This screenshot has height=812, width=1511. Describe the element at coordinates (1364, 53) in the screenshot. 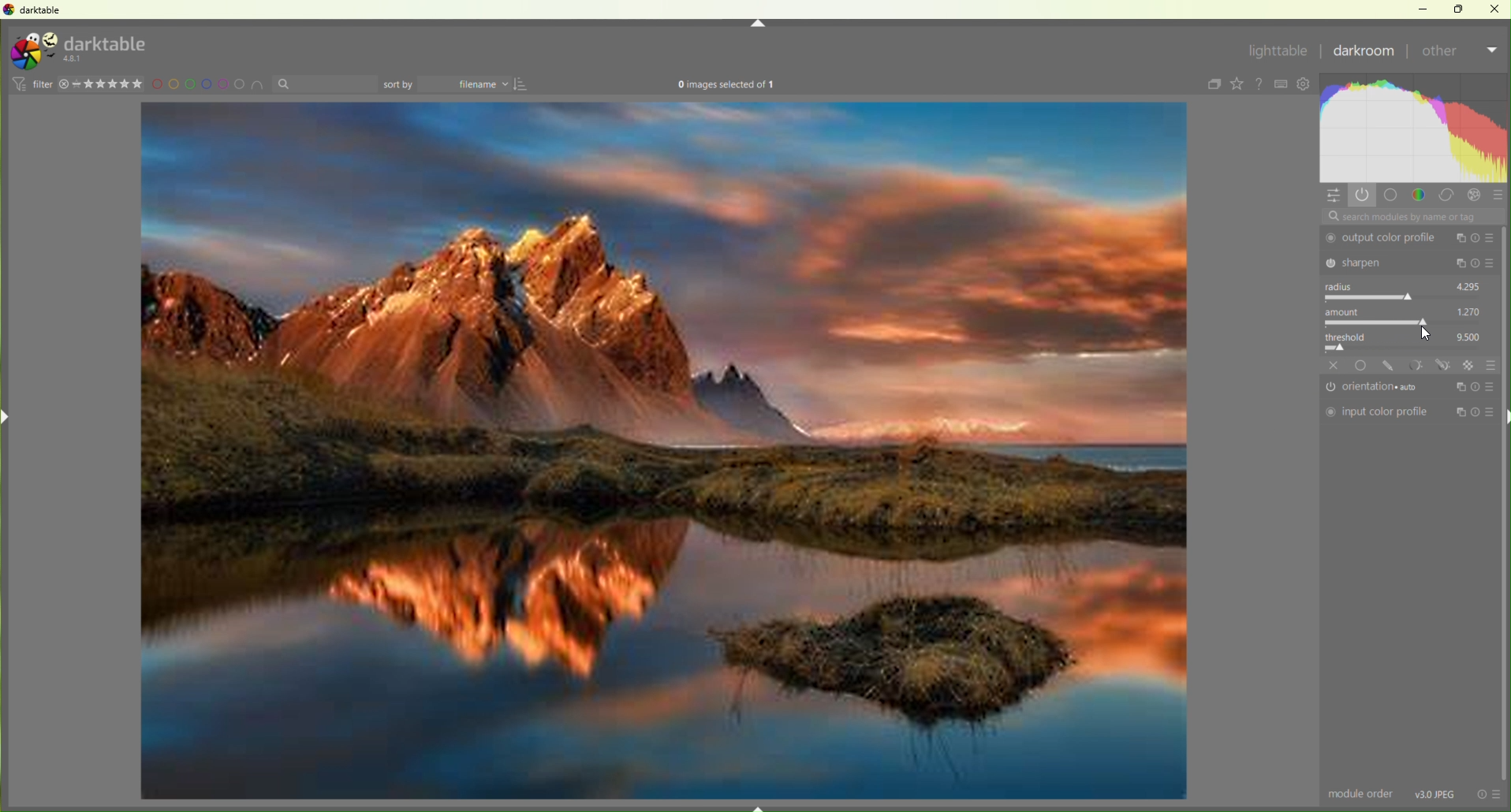

I see `Darkroom` at that location.